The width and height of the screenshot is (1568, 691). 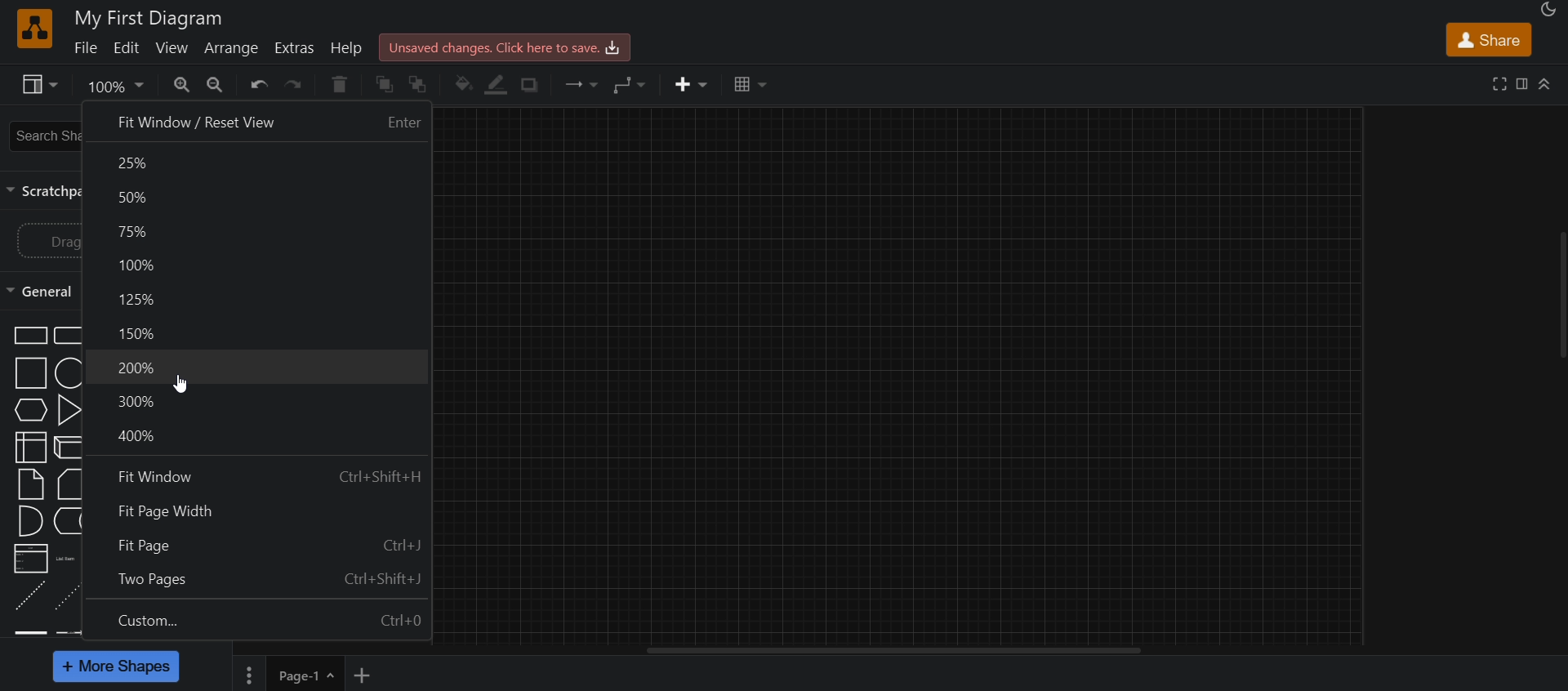 I want to click on 75%, so click(x=260, y=236).